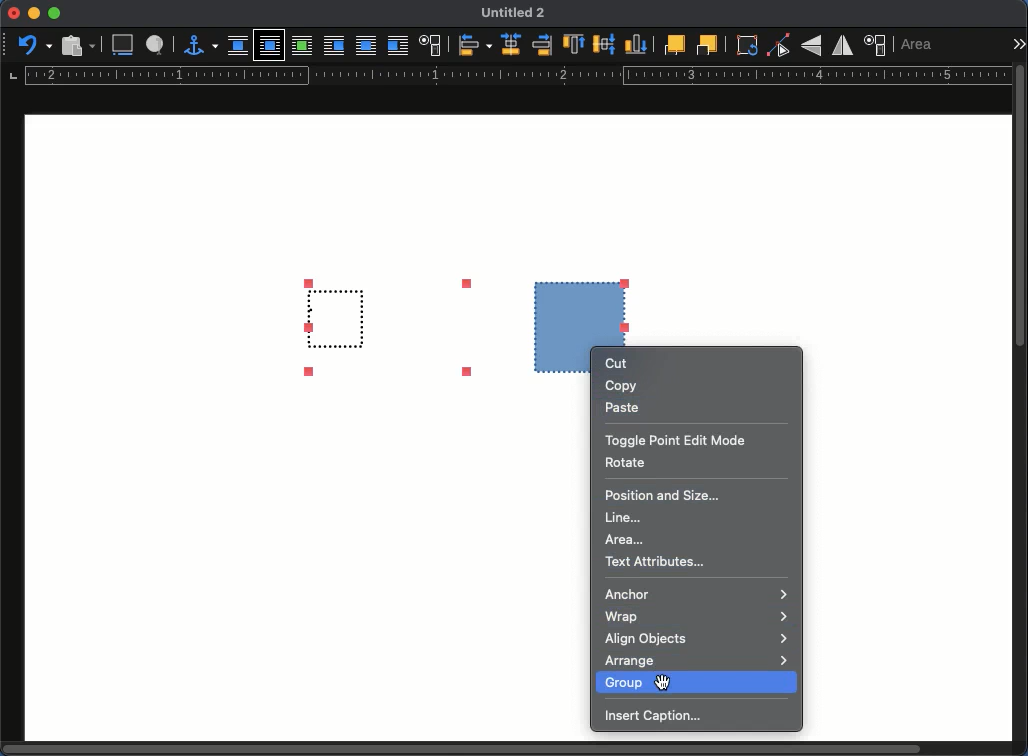  Describe the element at coordinates (623, 386) in the screenshot. I see `copy` at that location.